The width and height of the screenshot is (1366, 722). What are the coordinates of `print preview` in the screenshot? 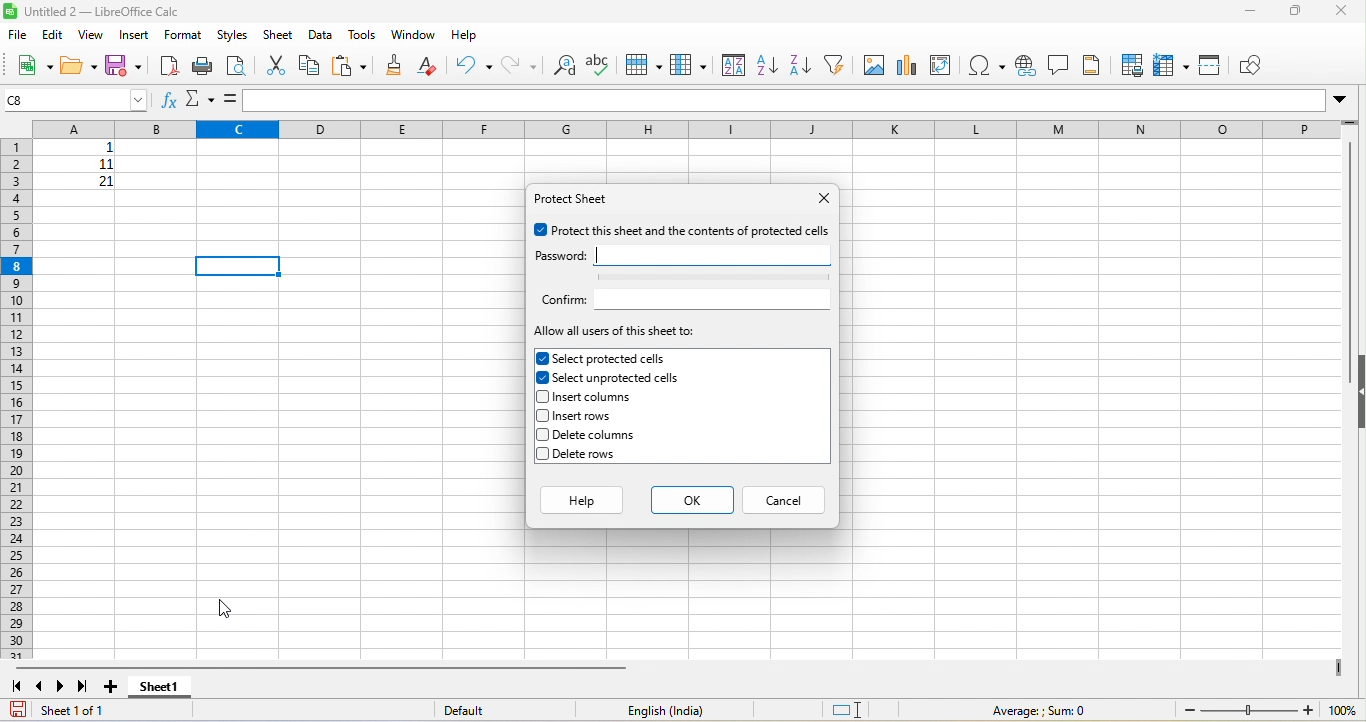 It's located at (236, 65).